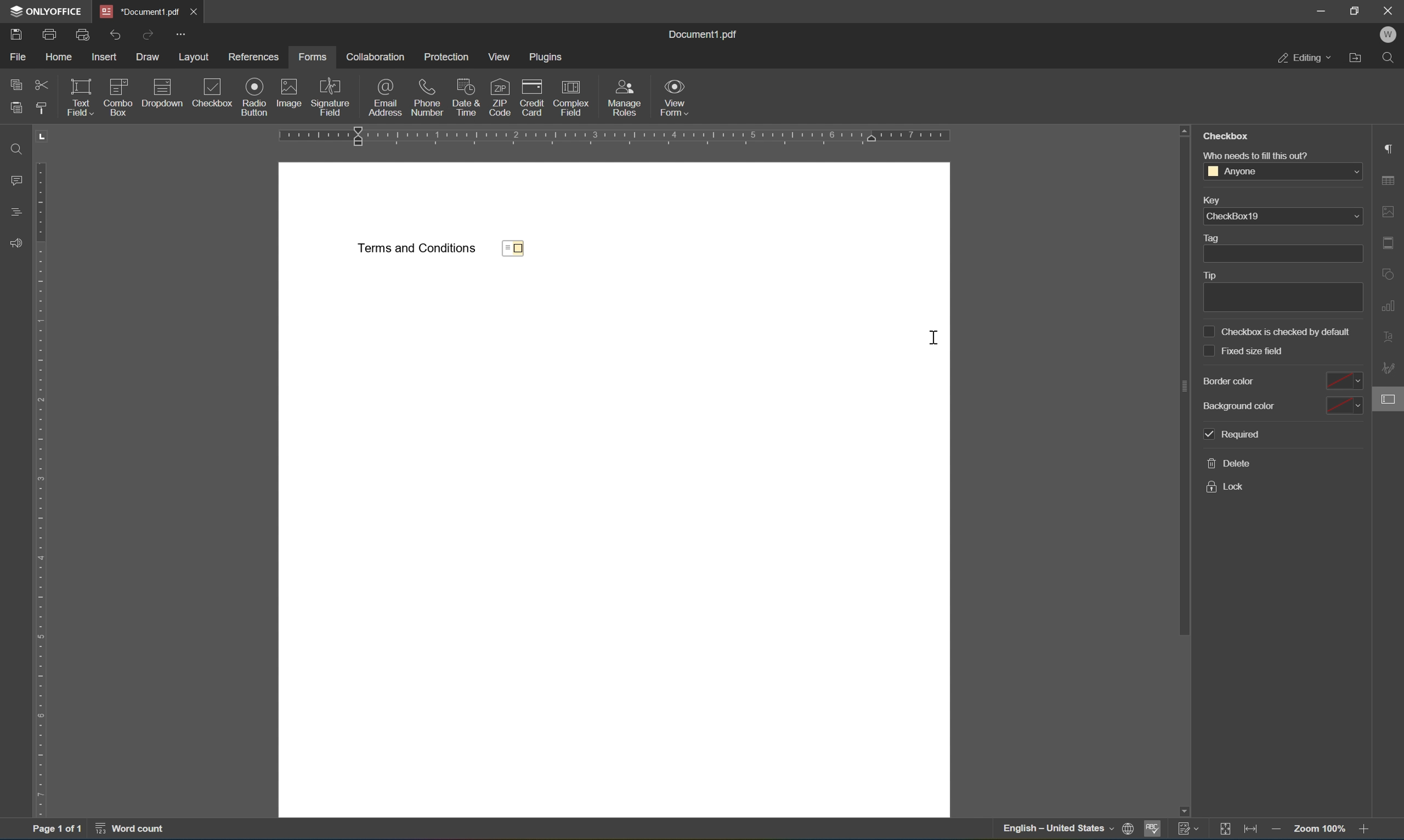 Image resolution: width=1404 pixels, height=840 pixels. What do you see at coordinates (1389, 57) in the screenshot?
I see `find` at bounding box center [1389, 57].